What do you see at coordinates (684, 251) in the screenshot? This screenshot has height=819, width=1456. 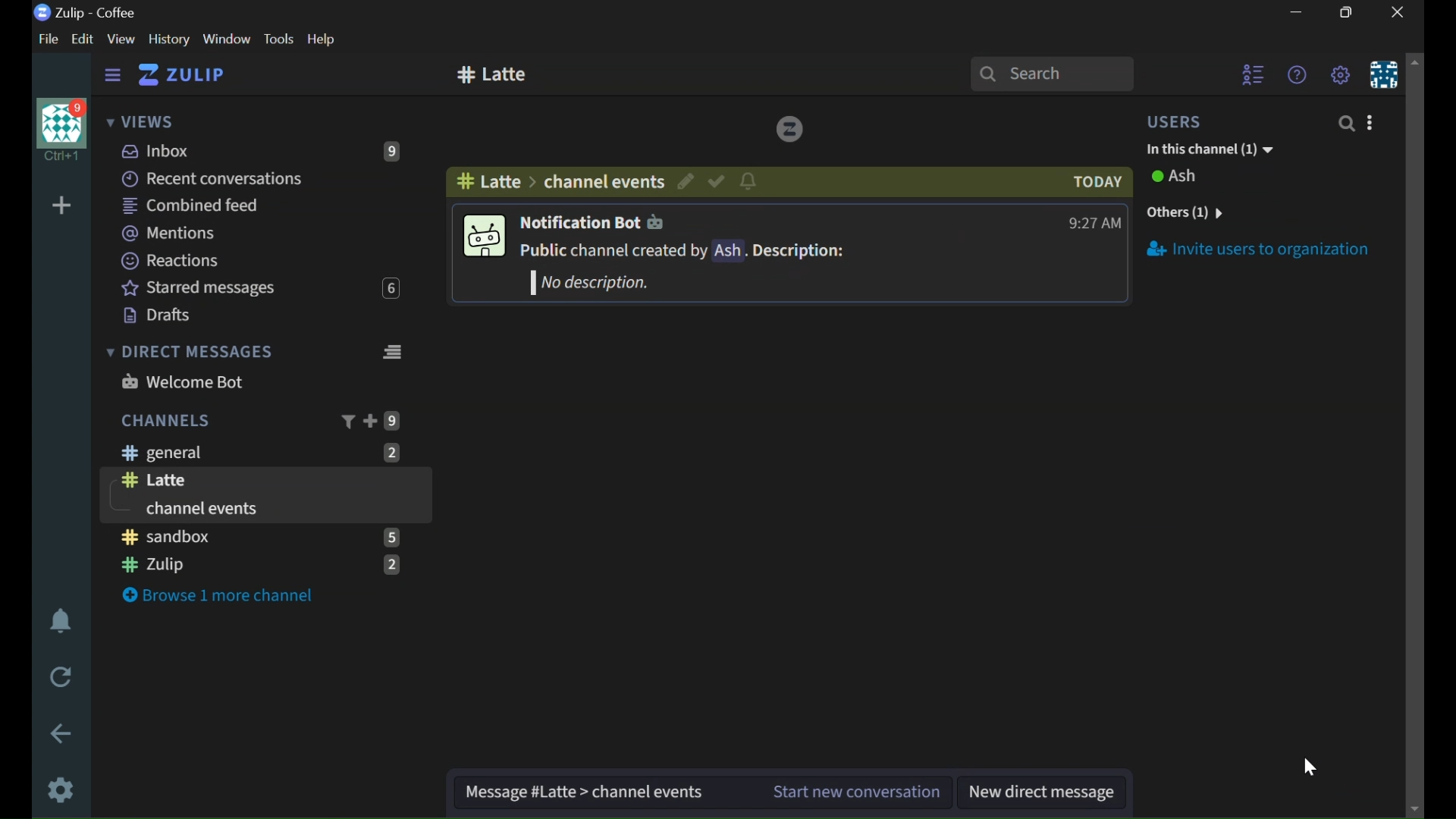 I see `Public channel created by ash. Description: ` at bounding box center [684, 251].